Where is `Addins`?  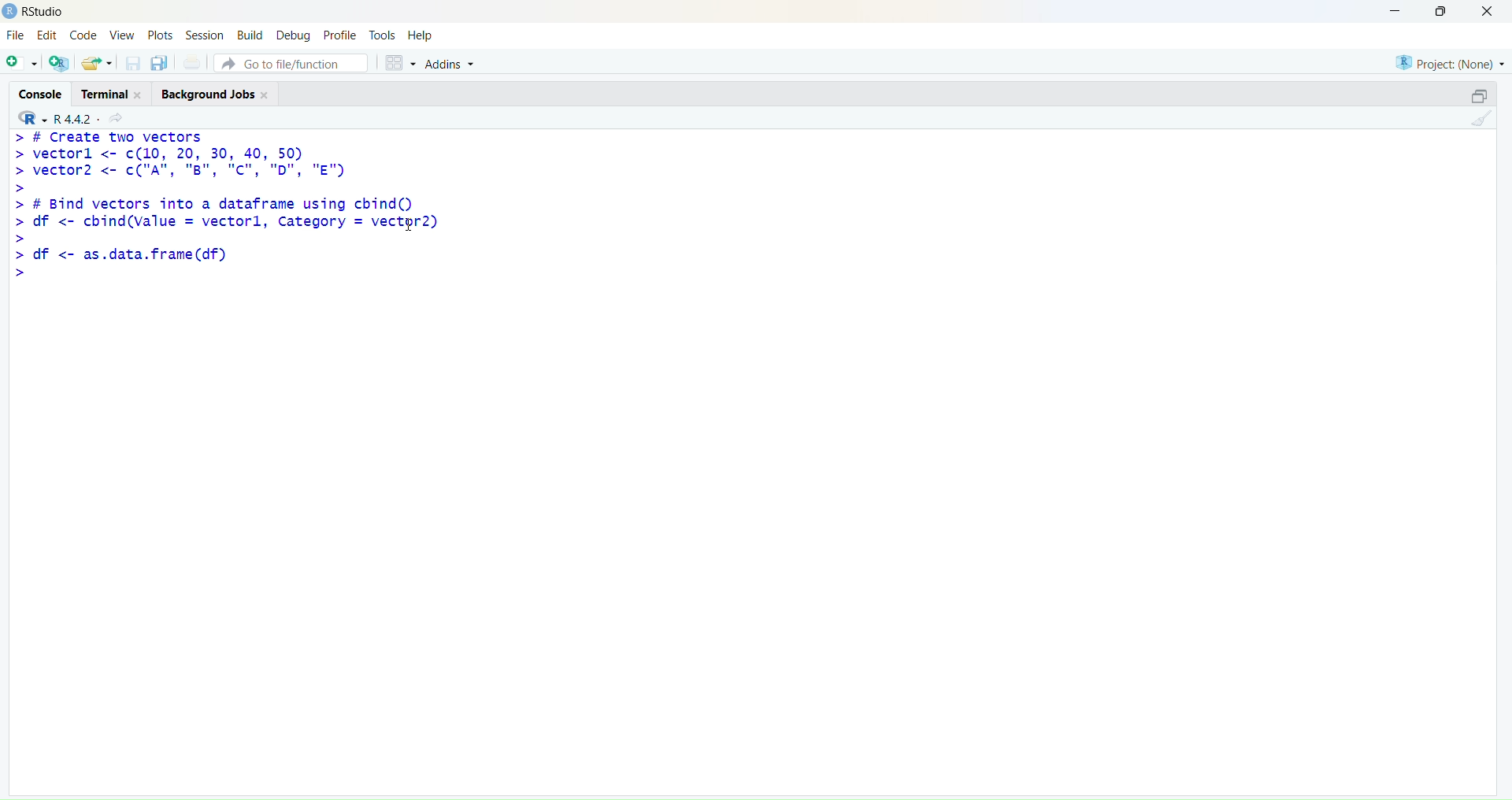 Addins is located at coordinates (449, 64).